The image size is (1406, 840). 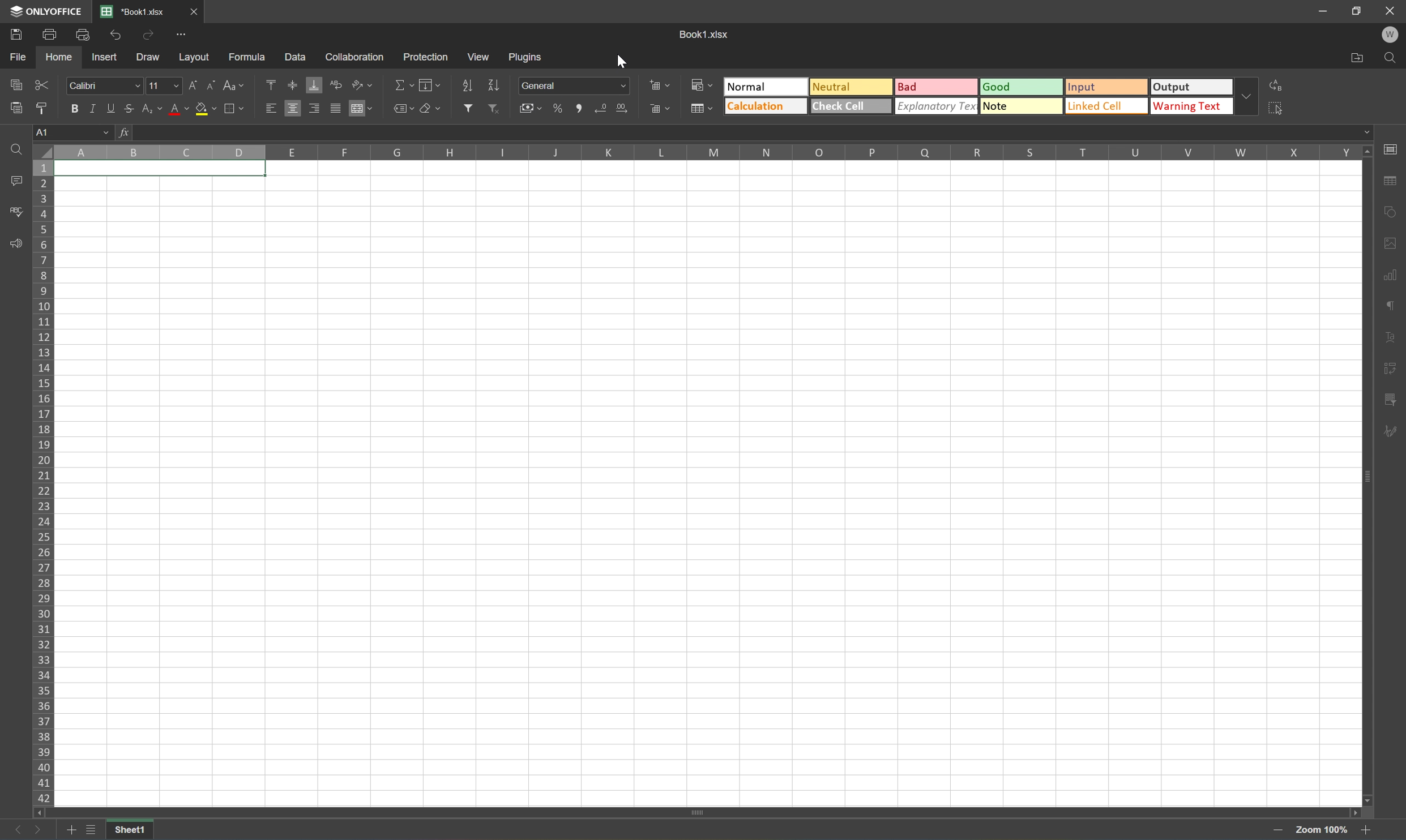 I want to click on Output, so click(x=1195, y=87).